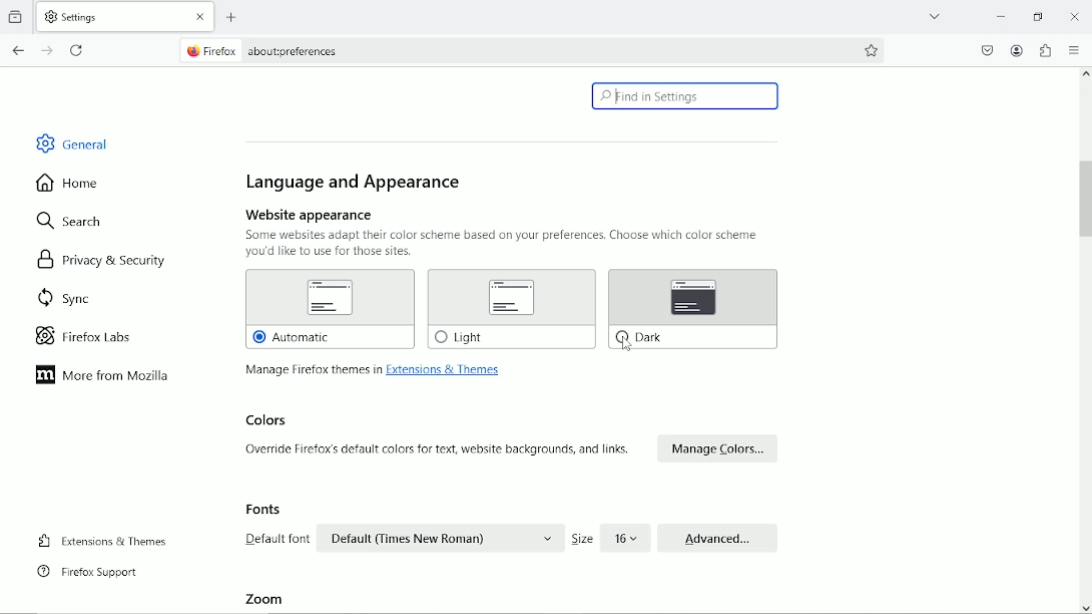  What do you see at coordinates (685, 97) in the screenshot?
I see `find in settings` at bounding box center [685, 97].